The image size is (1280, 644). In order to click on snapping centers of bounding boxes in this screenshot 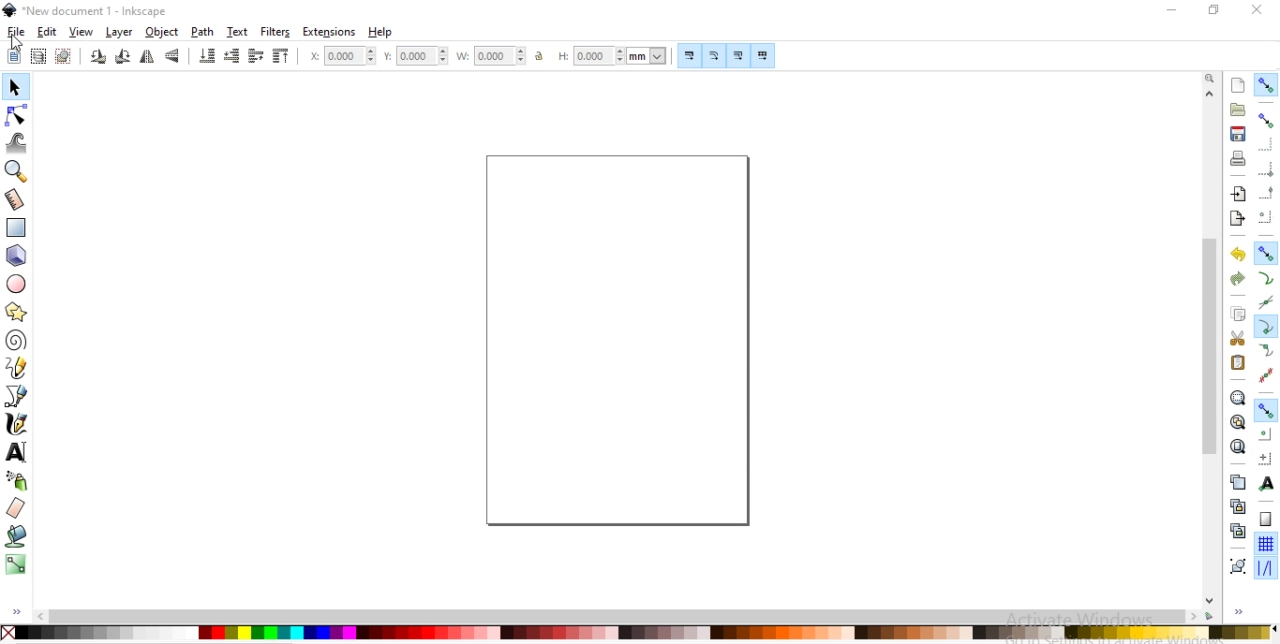, I will do `click(1265, 217)`.